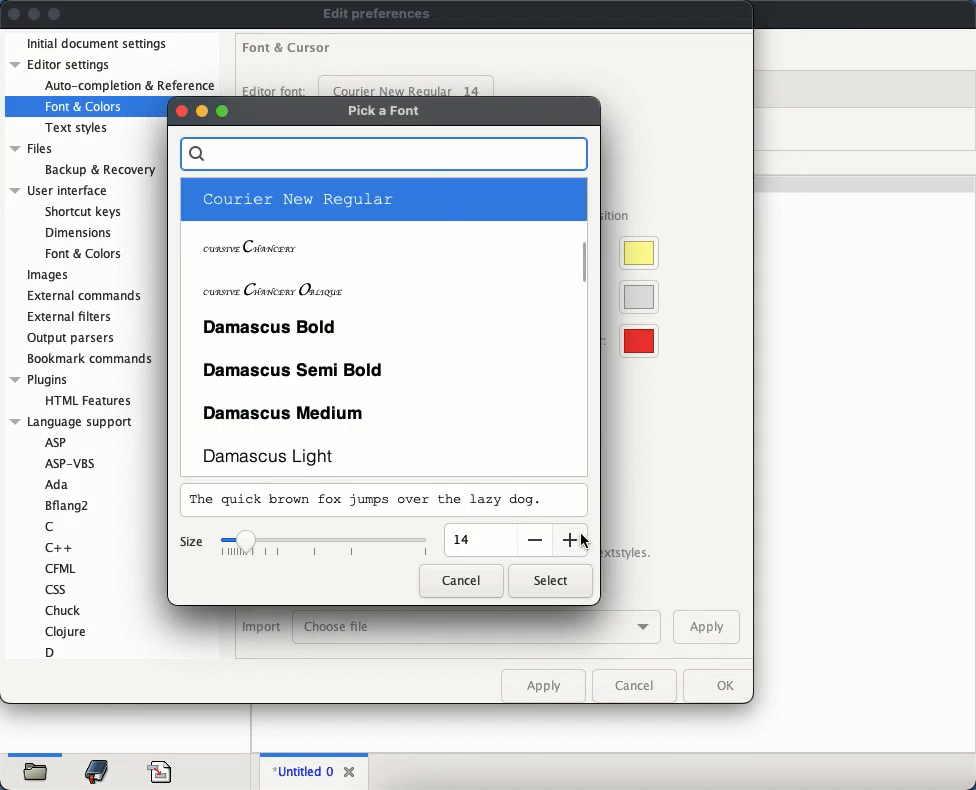  What do you see at coordinates (634, 253) in the screenshot?
I see `cursor highlight color` at bounding box center [634, 253].